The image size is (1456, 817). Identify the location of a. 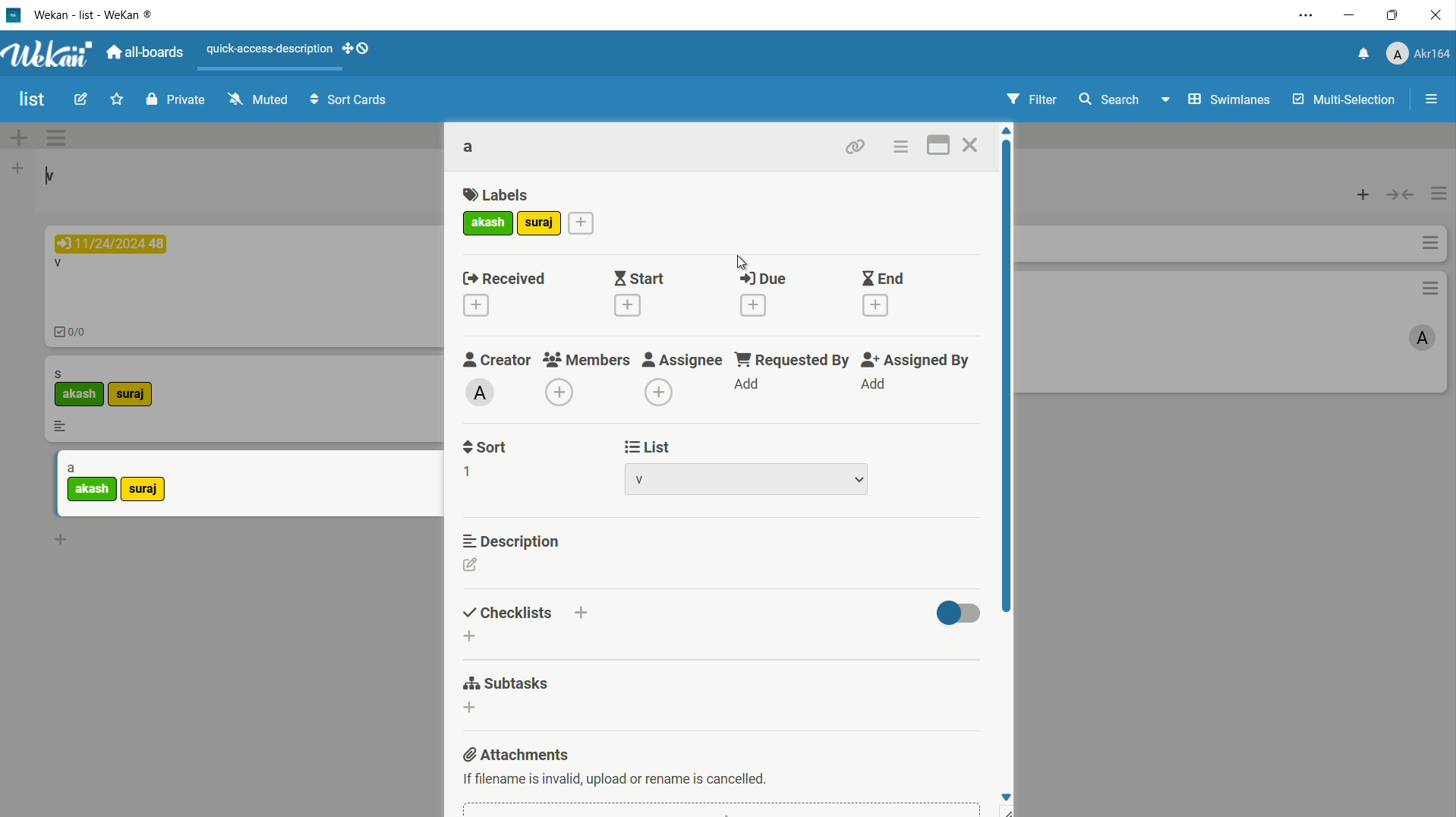
(71, 465).